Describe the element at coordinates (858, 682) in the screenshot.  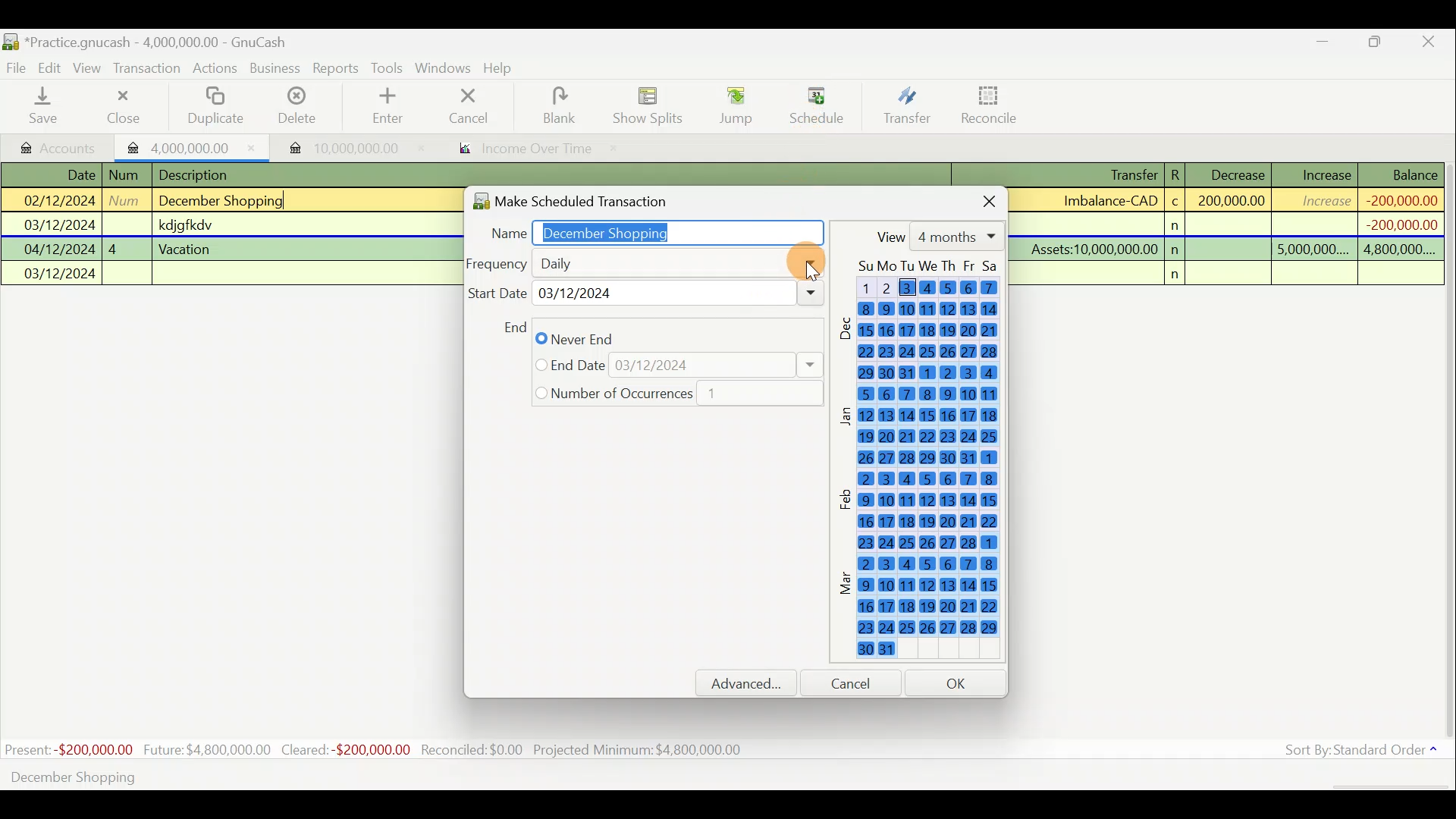
I see `Cancel` at that location.